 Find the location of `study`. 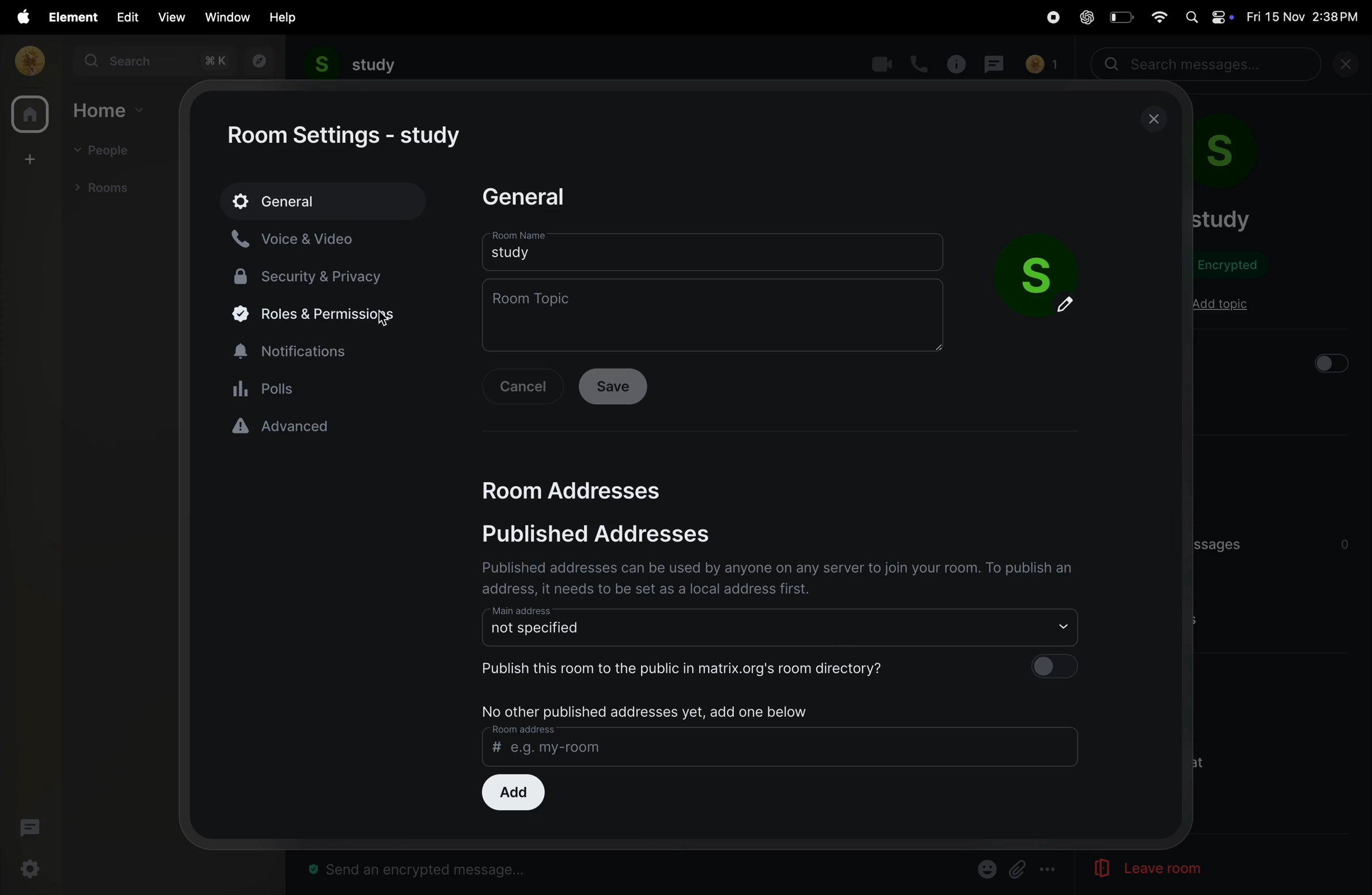

study is located at coordinates (352, 65).